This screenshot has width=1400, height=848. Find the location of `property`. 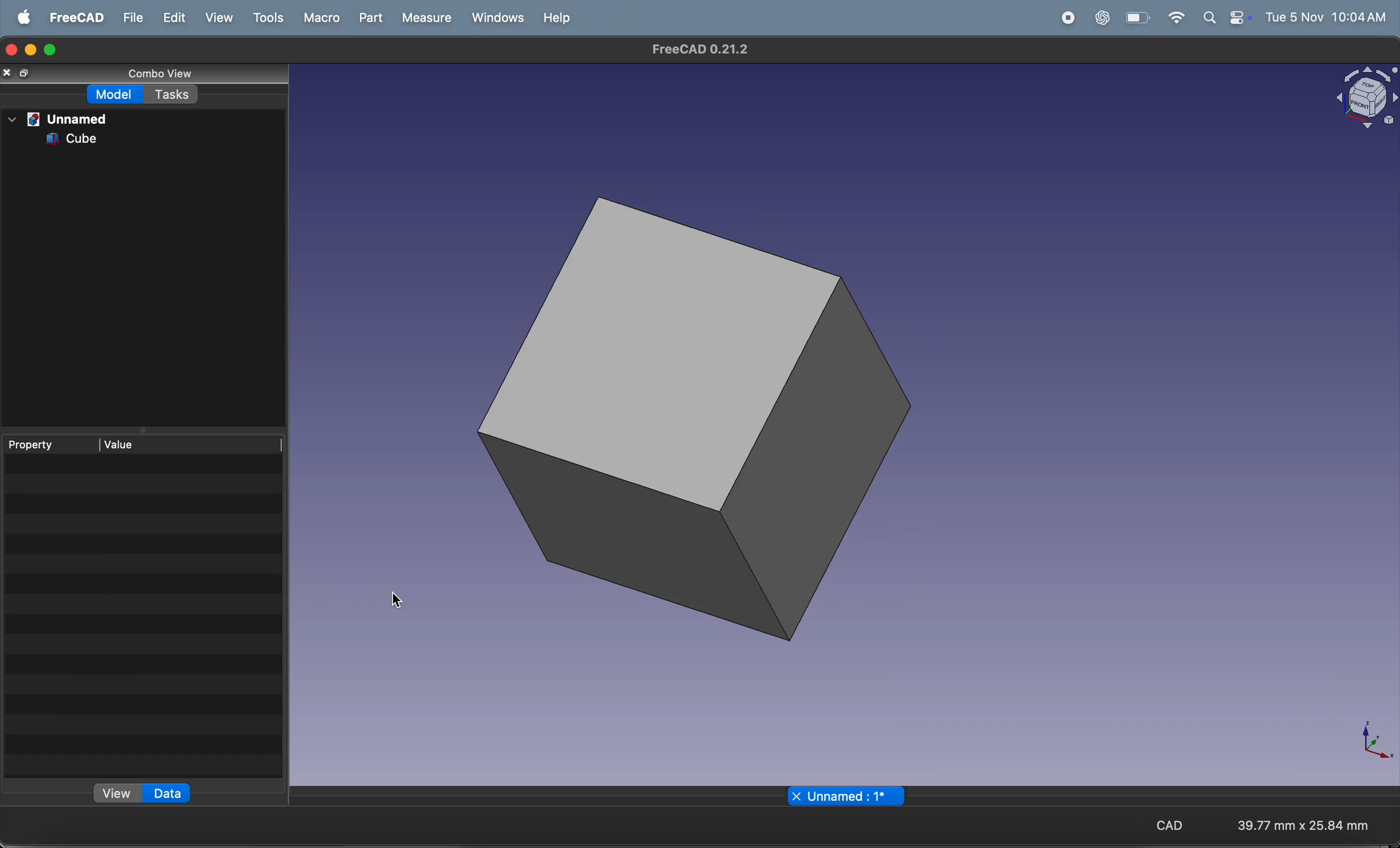

property is located at coordinates (39, 446).